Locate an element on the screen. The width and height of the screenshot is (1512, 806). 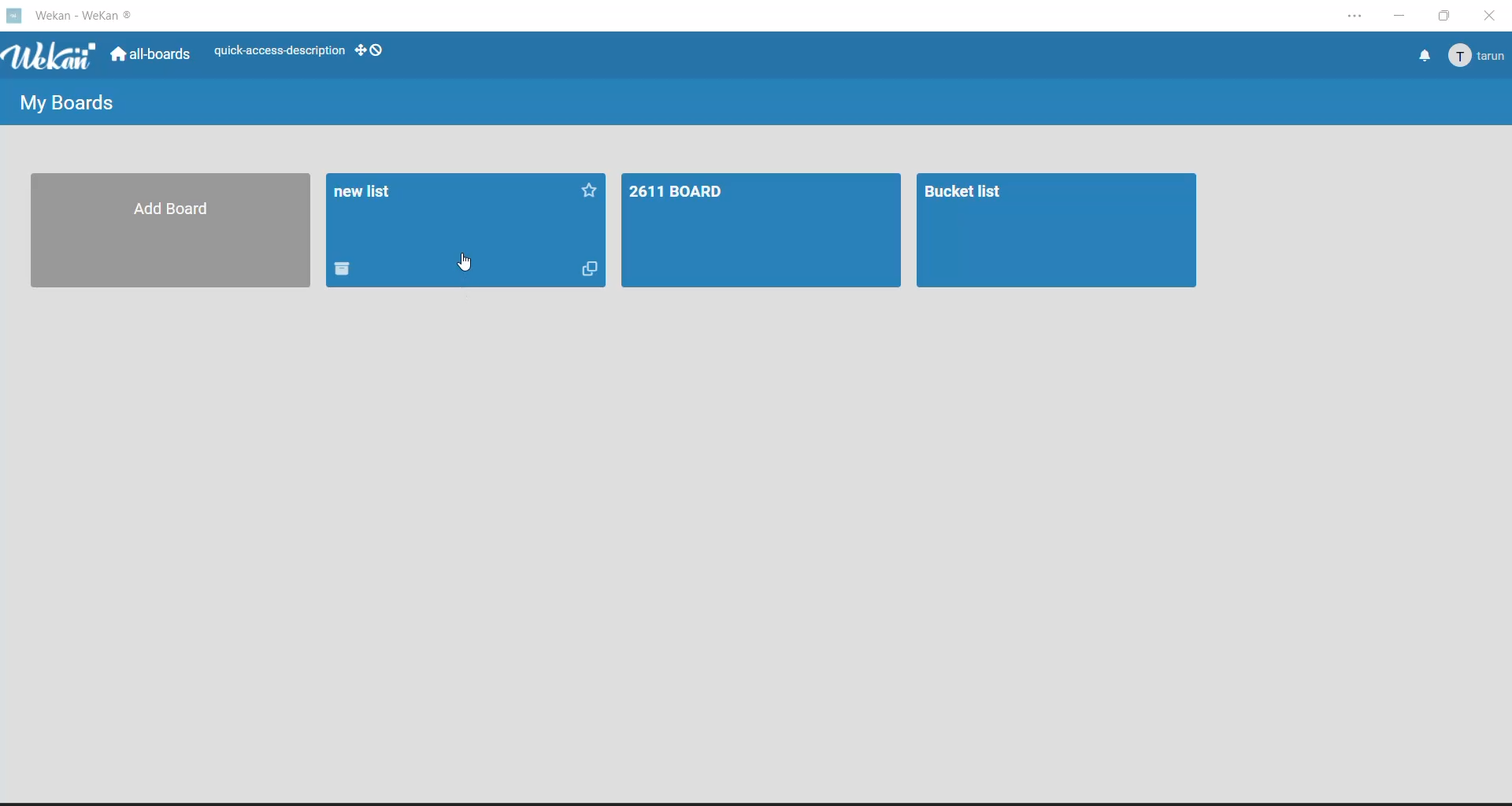
minimize is located at coordinates (1404, 15).